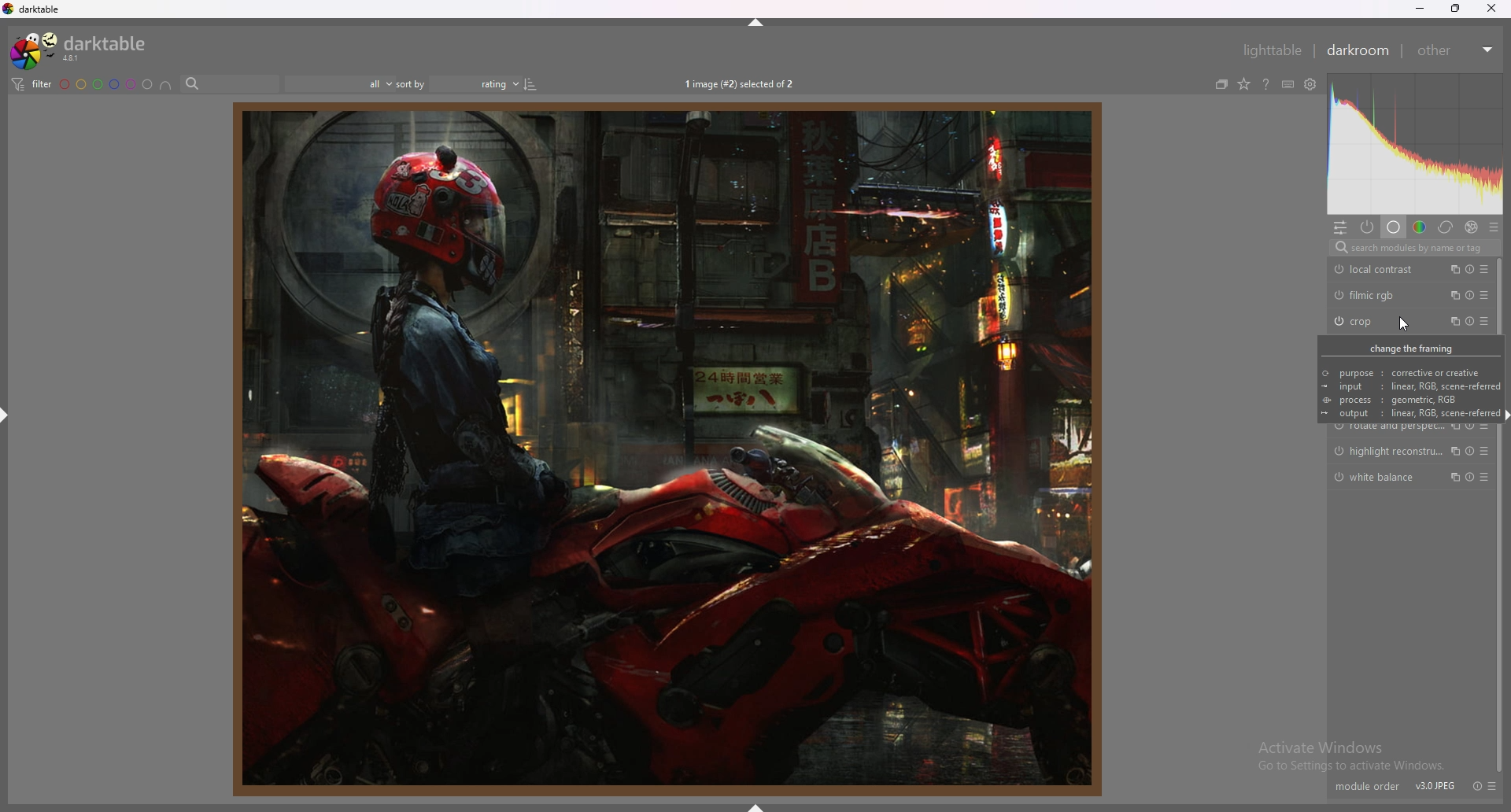  What do you see at coordinates (1472, 227) in the screenshot?
I see `effect` at bounding box center [1472, 227].